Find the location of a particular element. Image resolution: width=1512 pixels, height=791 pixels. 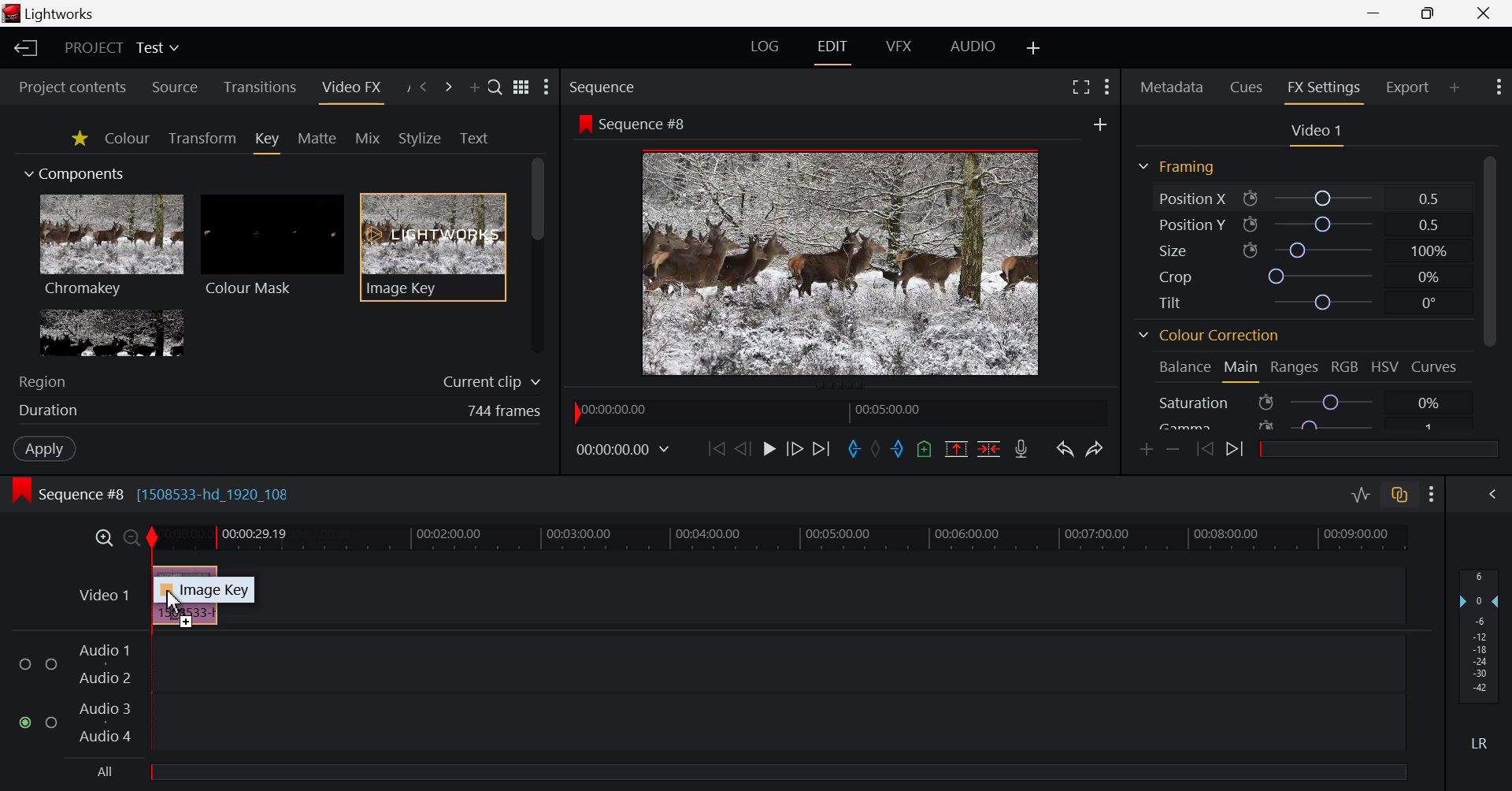

Previous Panel is located at coordinates (424, 87).